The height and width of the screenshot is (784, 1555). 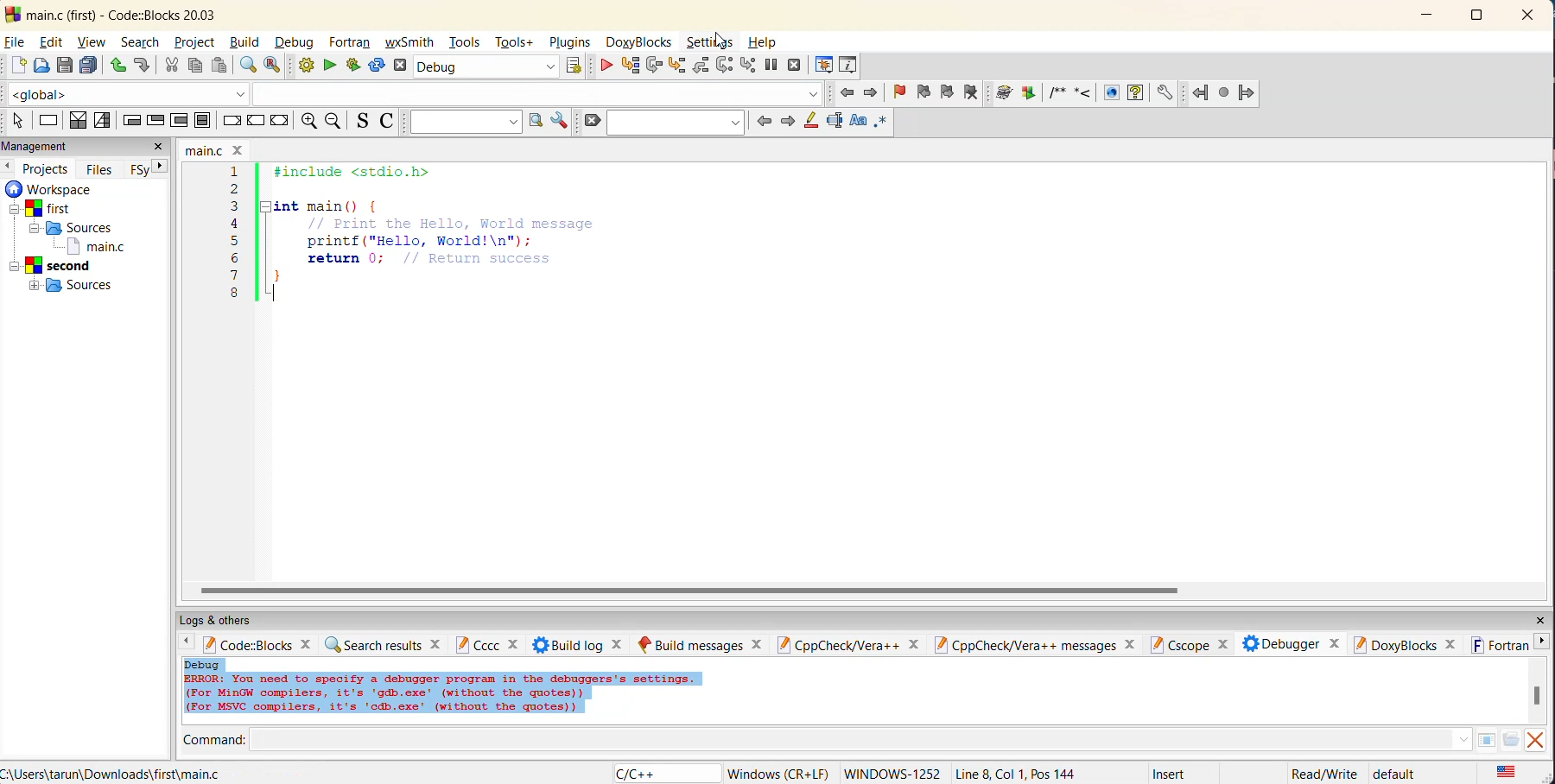 I want to click on counting loop, so click(x=181, y=122).